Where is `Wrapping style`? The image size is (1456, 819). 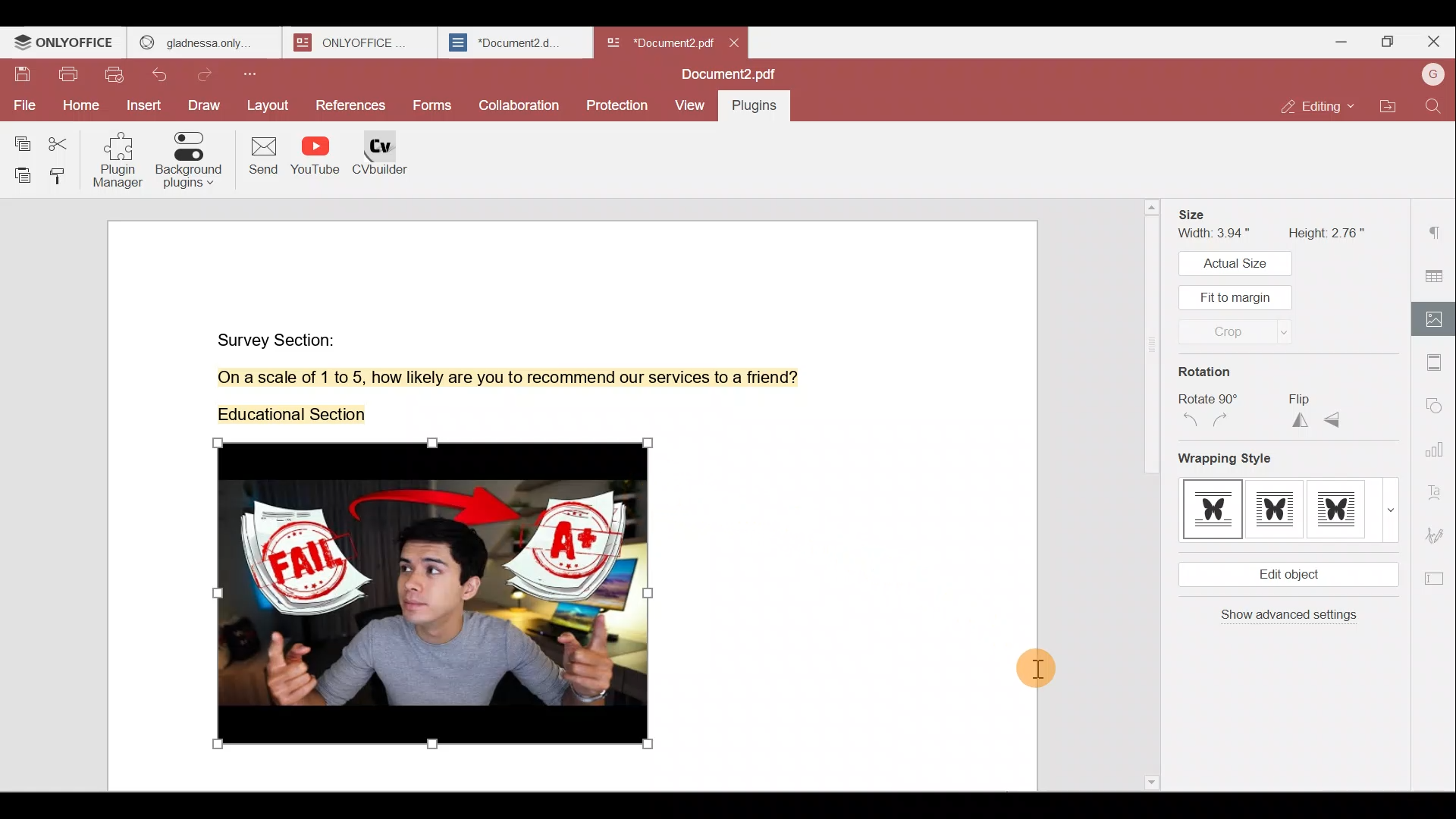
Wrapping style is located at coordinates (1241, 460).